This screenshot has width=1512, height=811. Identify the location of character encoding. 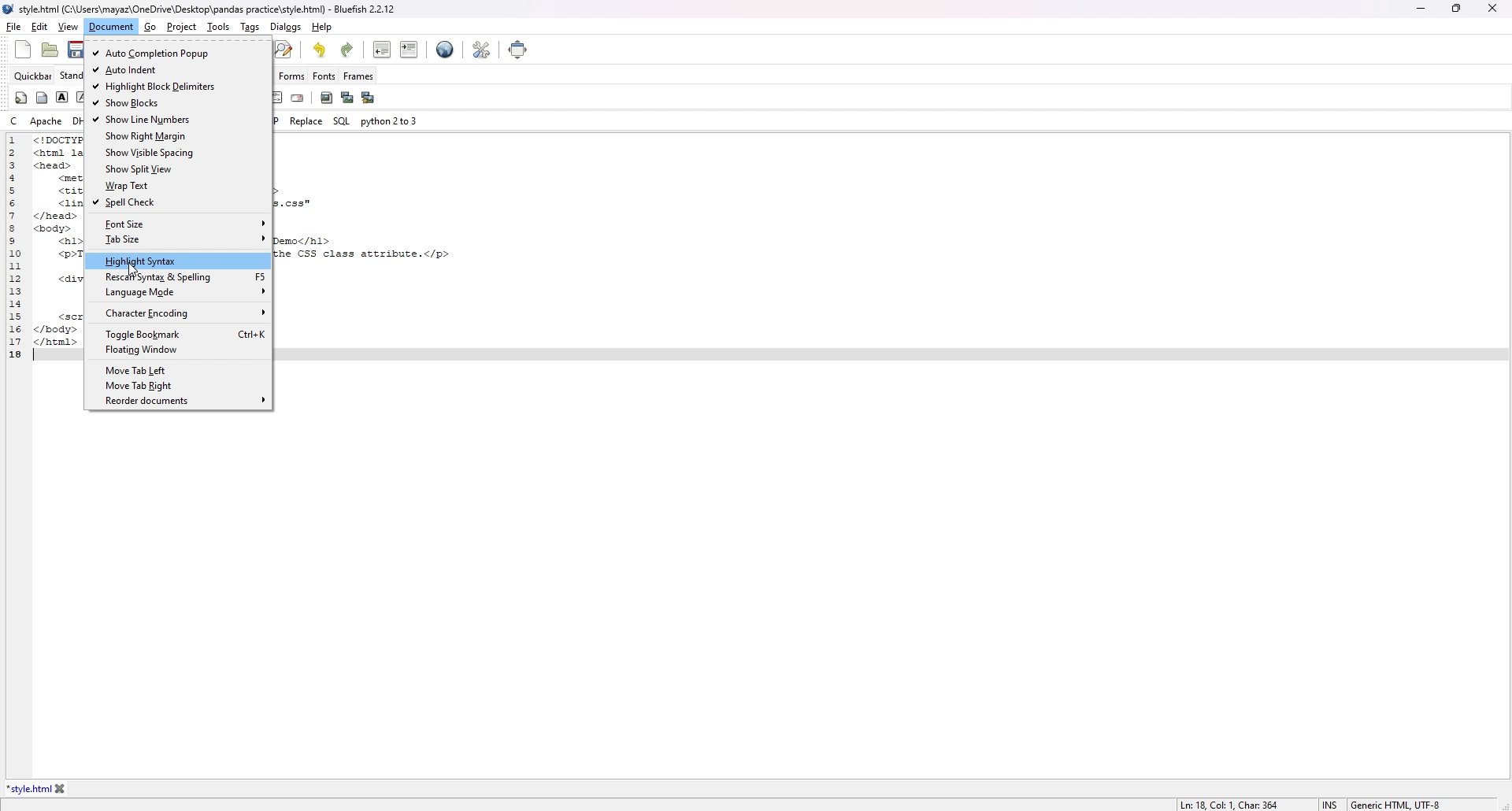
(177, 313).